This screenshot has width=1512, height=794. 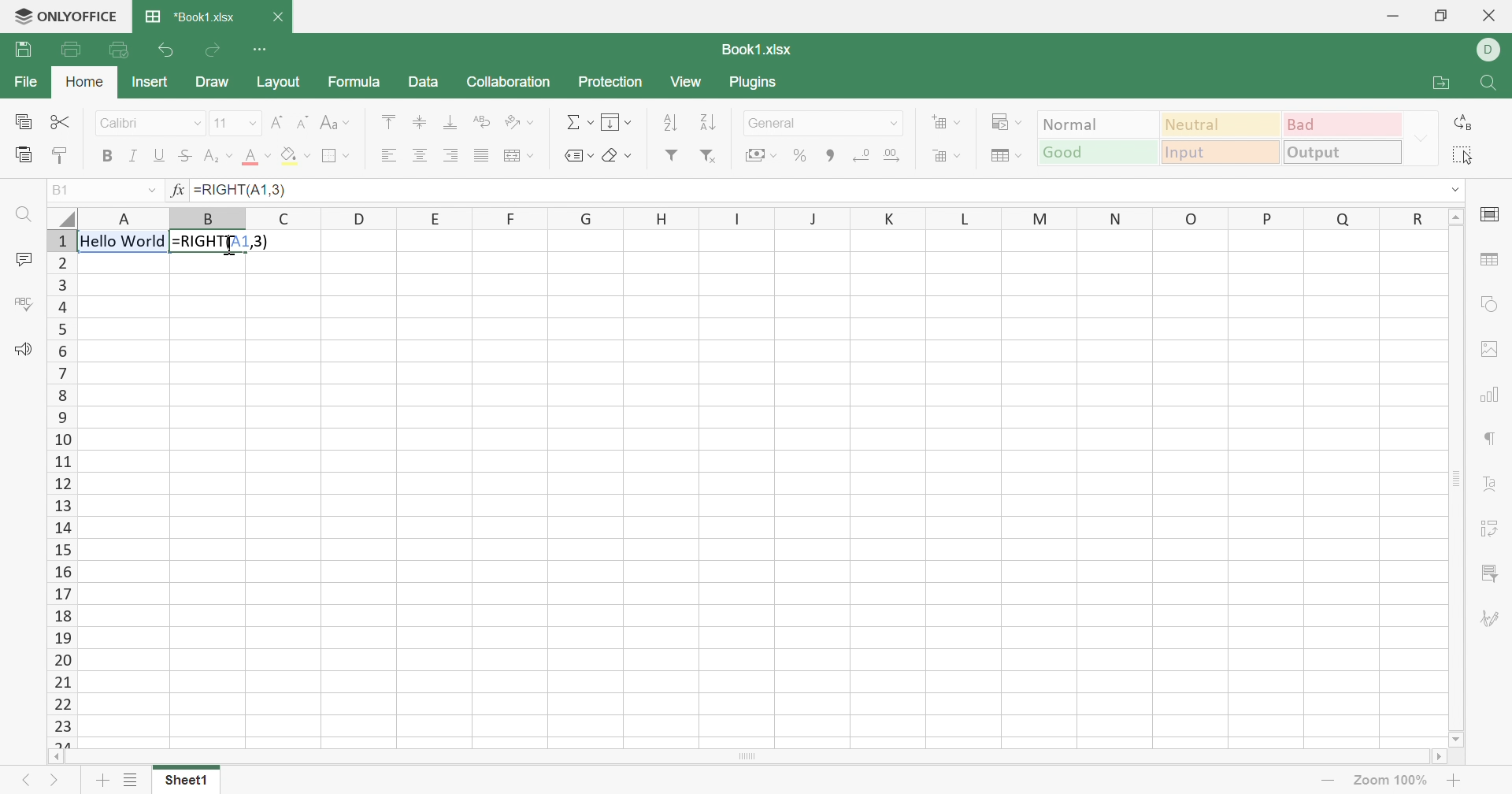 What do you see at coordinates (450, 155) in the screenshot?
I see `Align right` at bounding box center [450, 155].